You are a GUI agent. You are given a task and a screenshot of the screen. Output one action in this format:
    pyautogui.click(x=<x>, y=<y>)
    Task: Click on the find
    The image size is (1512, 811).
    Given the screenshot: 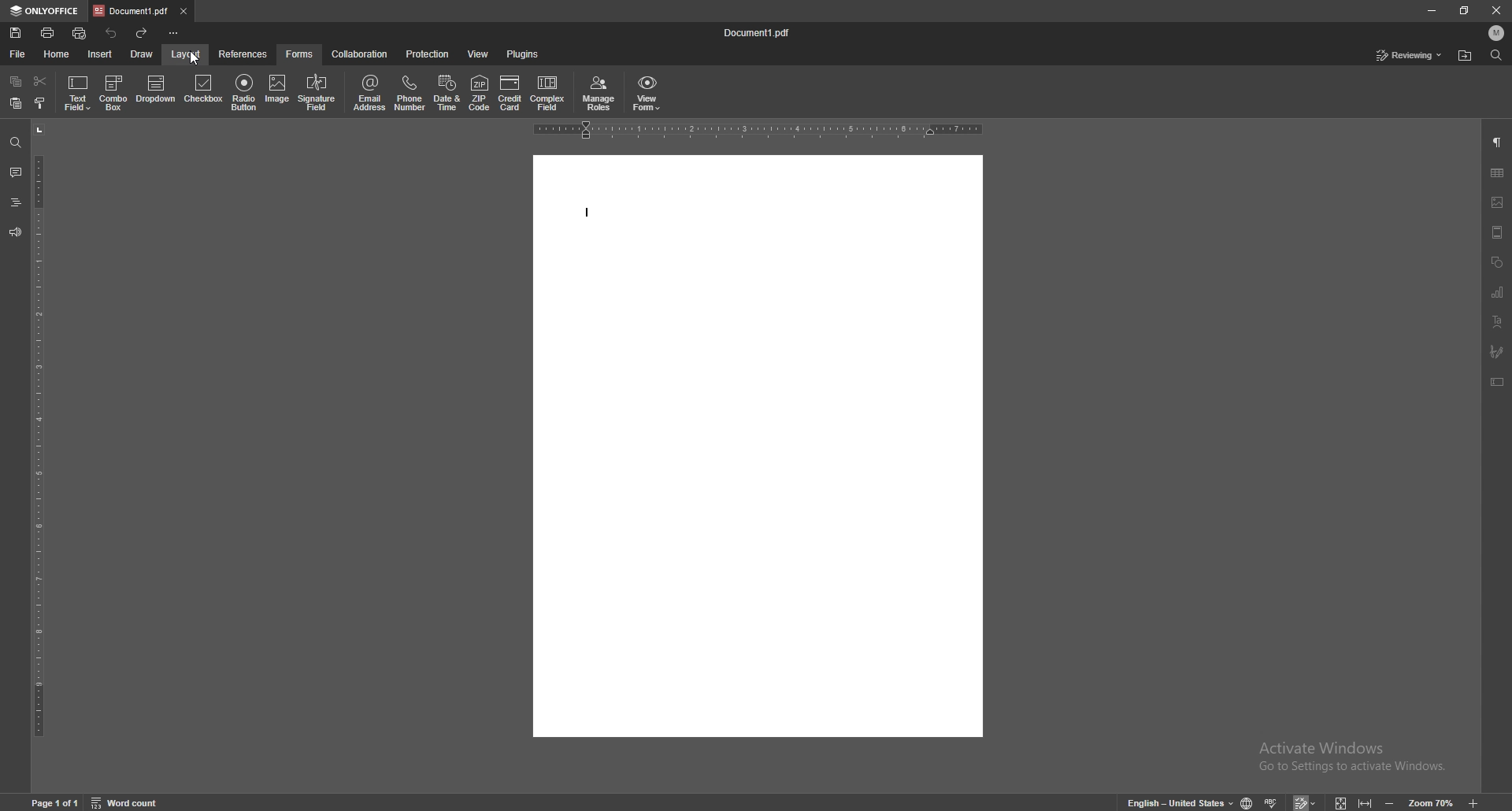 What is the action you would take?
    pyautogui.click(x=16, y=144)
    